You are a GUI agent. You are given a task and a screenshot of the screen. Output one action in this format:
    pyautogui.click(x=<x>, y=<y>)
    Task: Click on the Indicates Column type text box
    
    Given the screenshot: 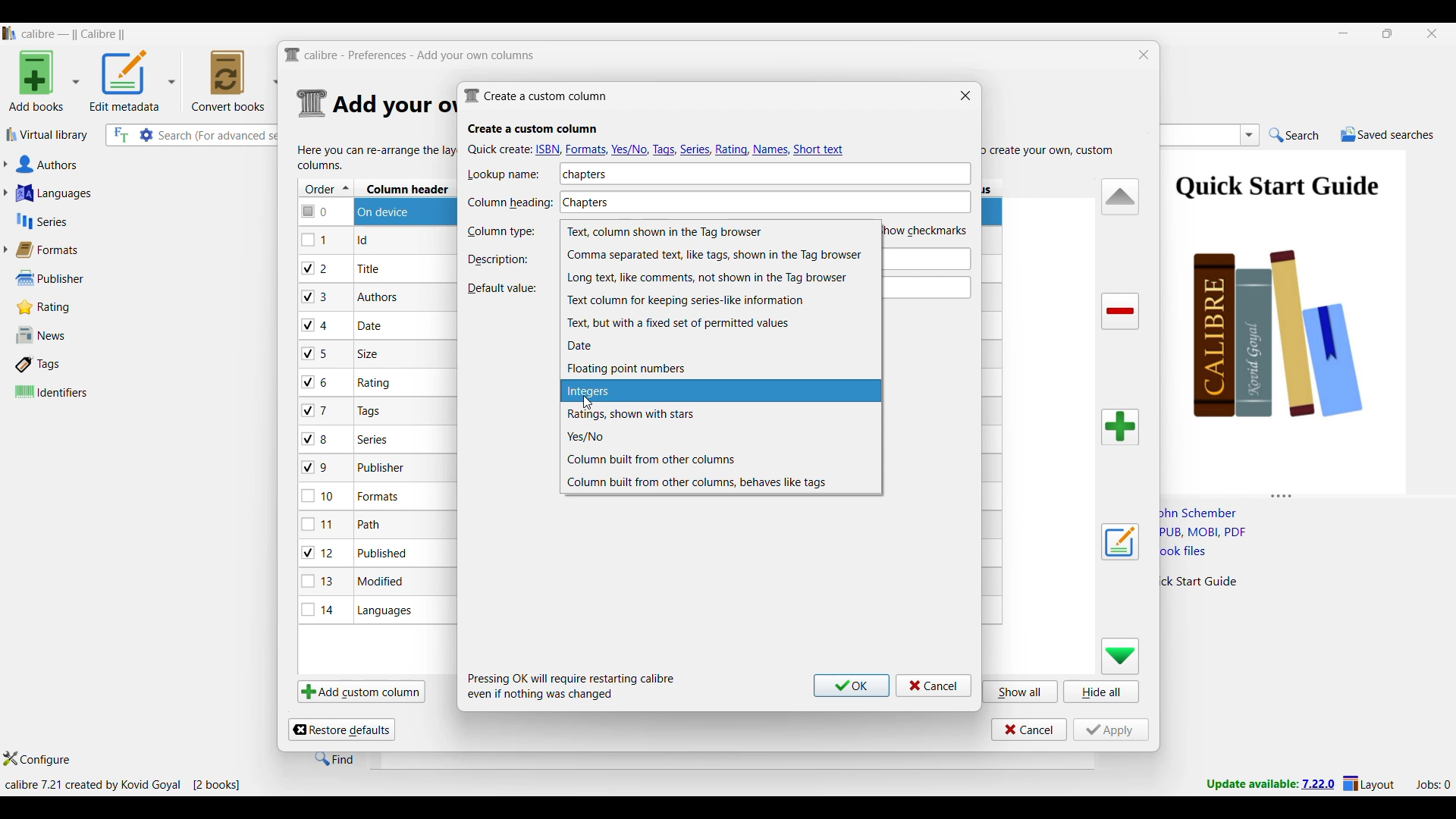 What is the action you would take?
    pyautogui.click(x=500, y=232)
    